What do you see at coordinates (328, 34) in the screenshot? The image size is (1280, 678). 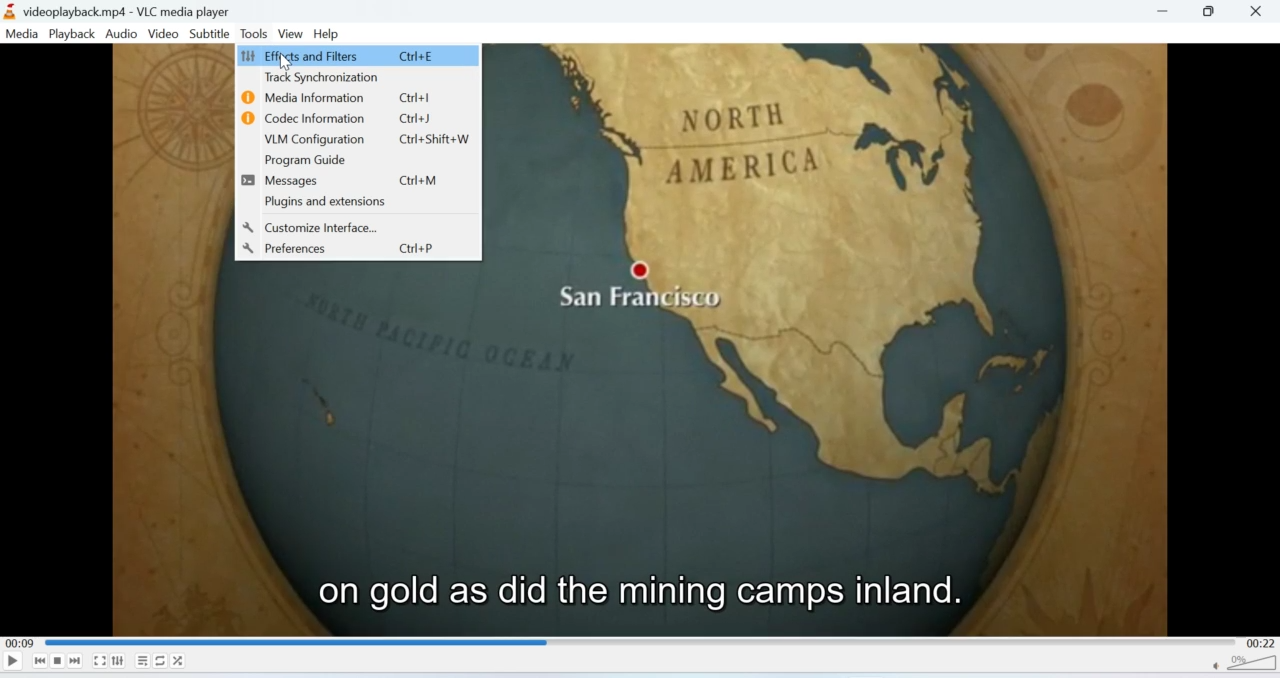 I see `Help` at bounding box center [328, 34].